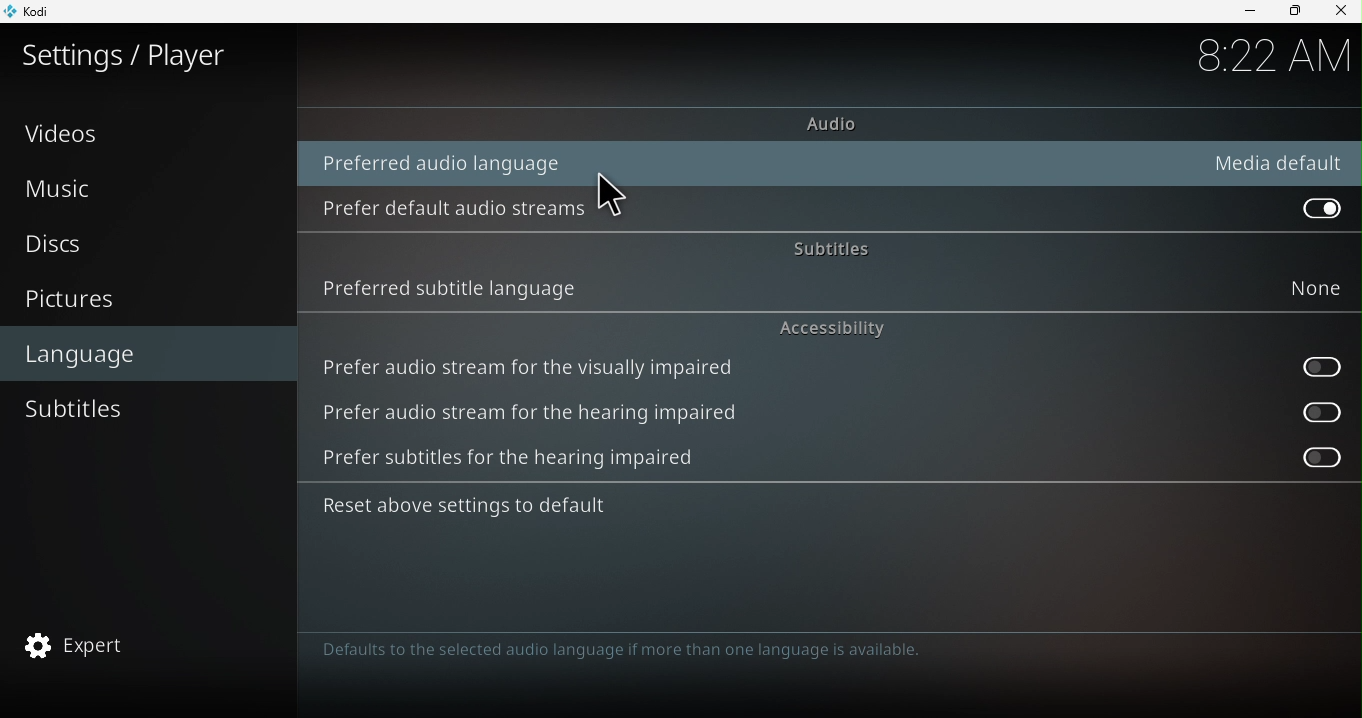 The height and width of the screenshot is (718, 1362). What do you see at coordinates (1271, 56) in the screenshot?
I see `8:22 AM` at bounding box center [1271, 56].